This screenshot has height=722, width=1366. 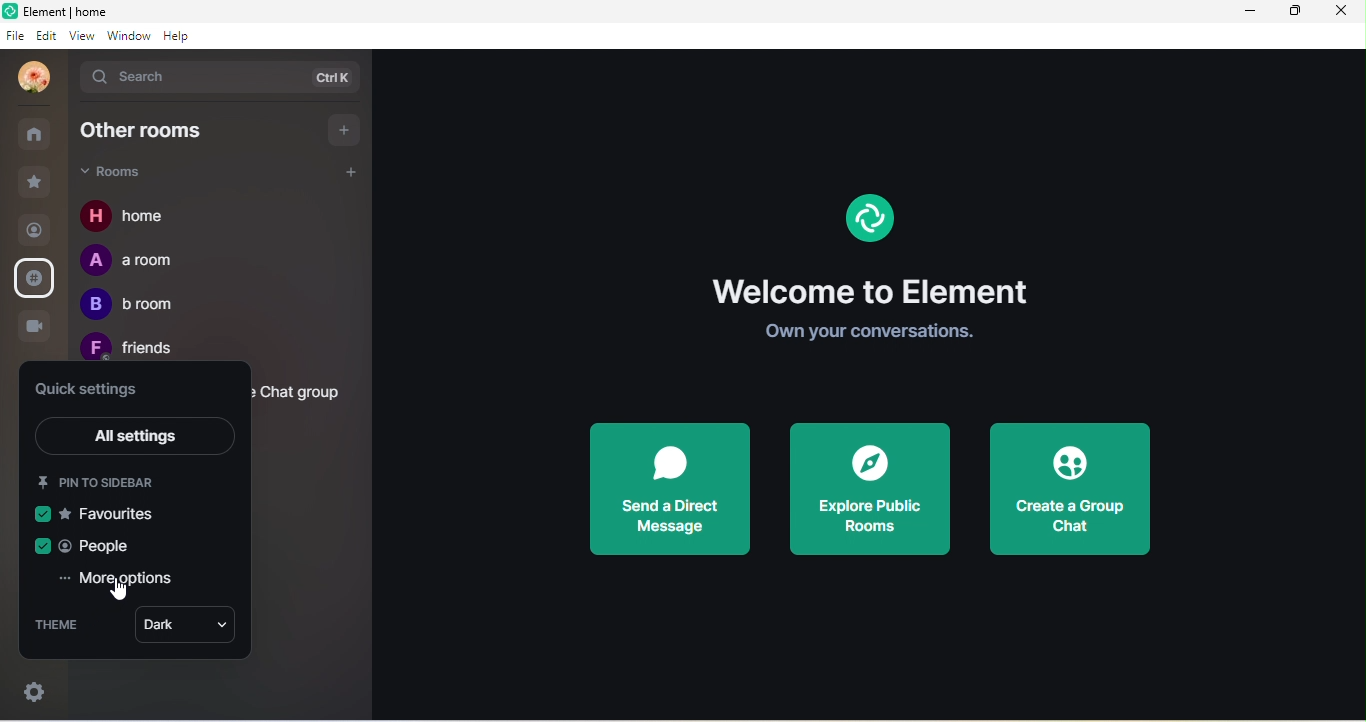 I want to click on help, so click(x=178, y=36).